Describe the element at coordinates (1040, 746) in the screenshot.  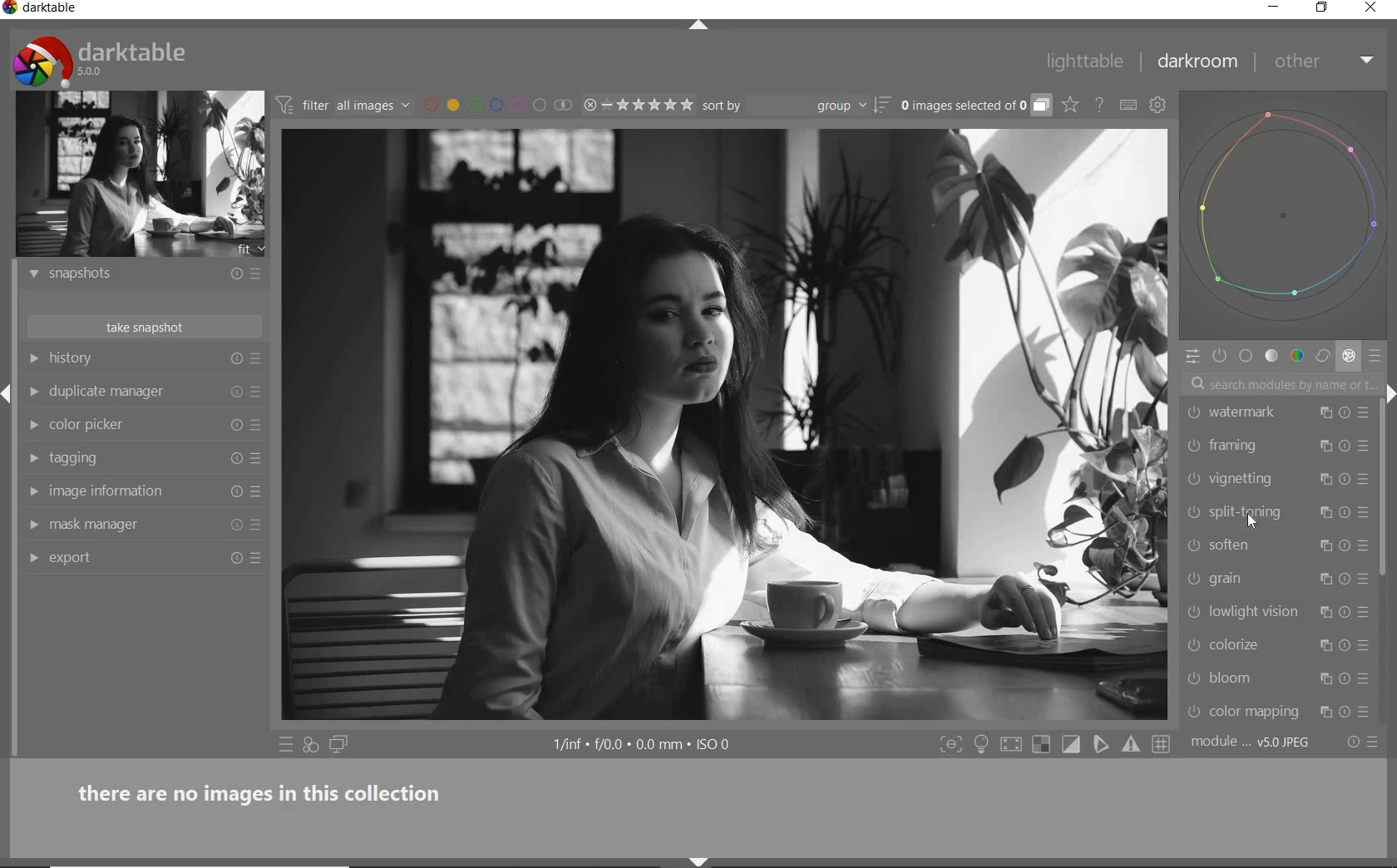
I see `shift+o` at that location.